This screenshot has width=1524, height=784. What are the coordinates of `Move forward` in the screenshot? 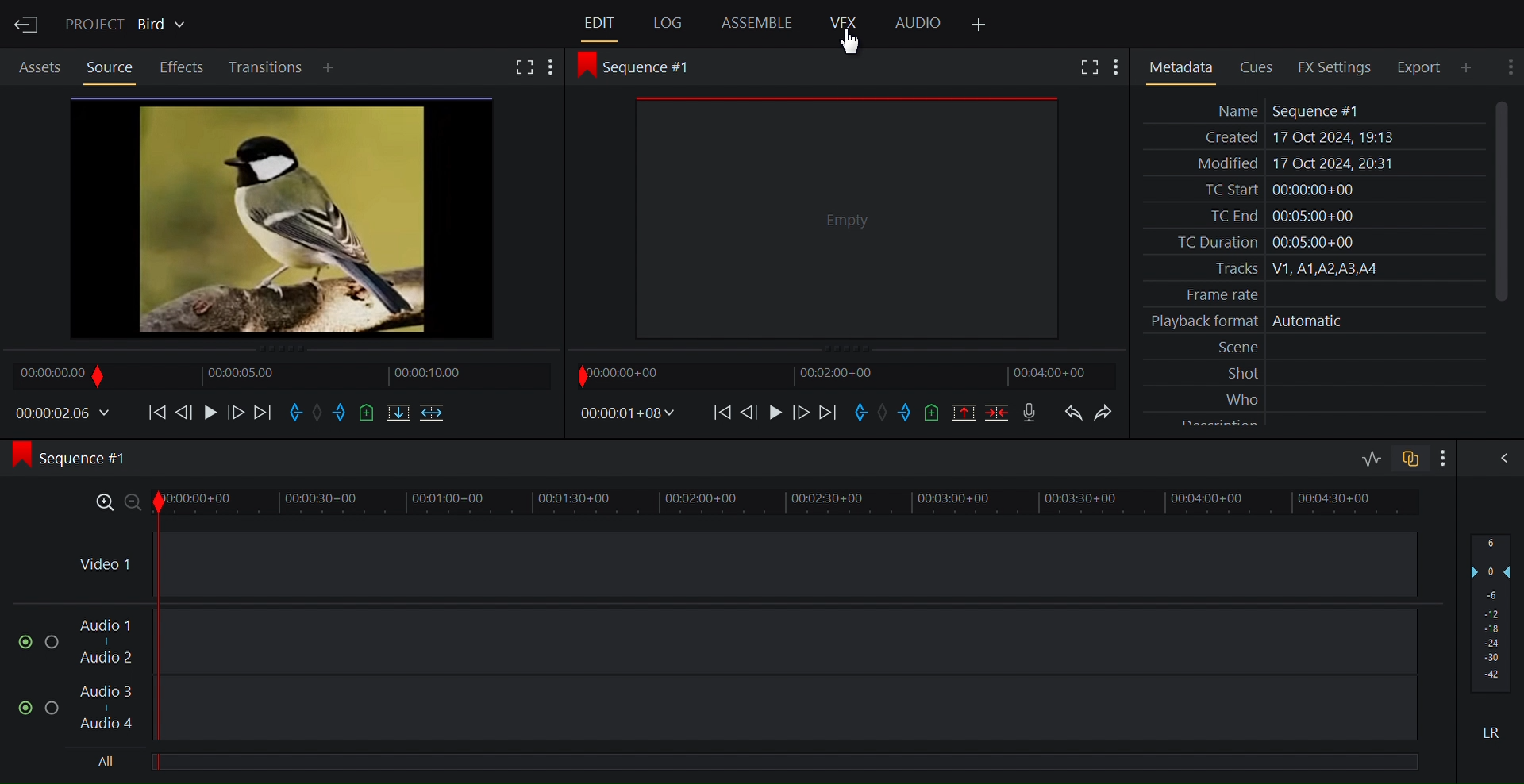 It's located at (829, 412).